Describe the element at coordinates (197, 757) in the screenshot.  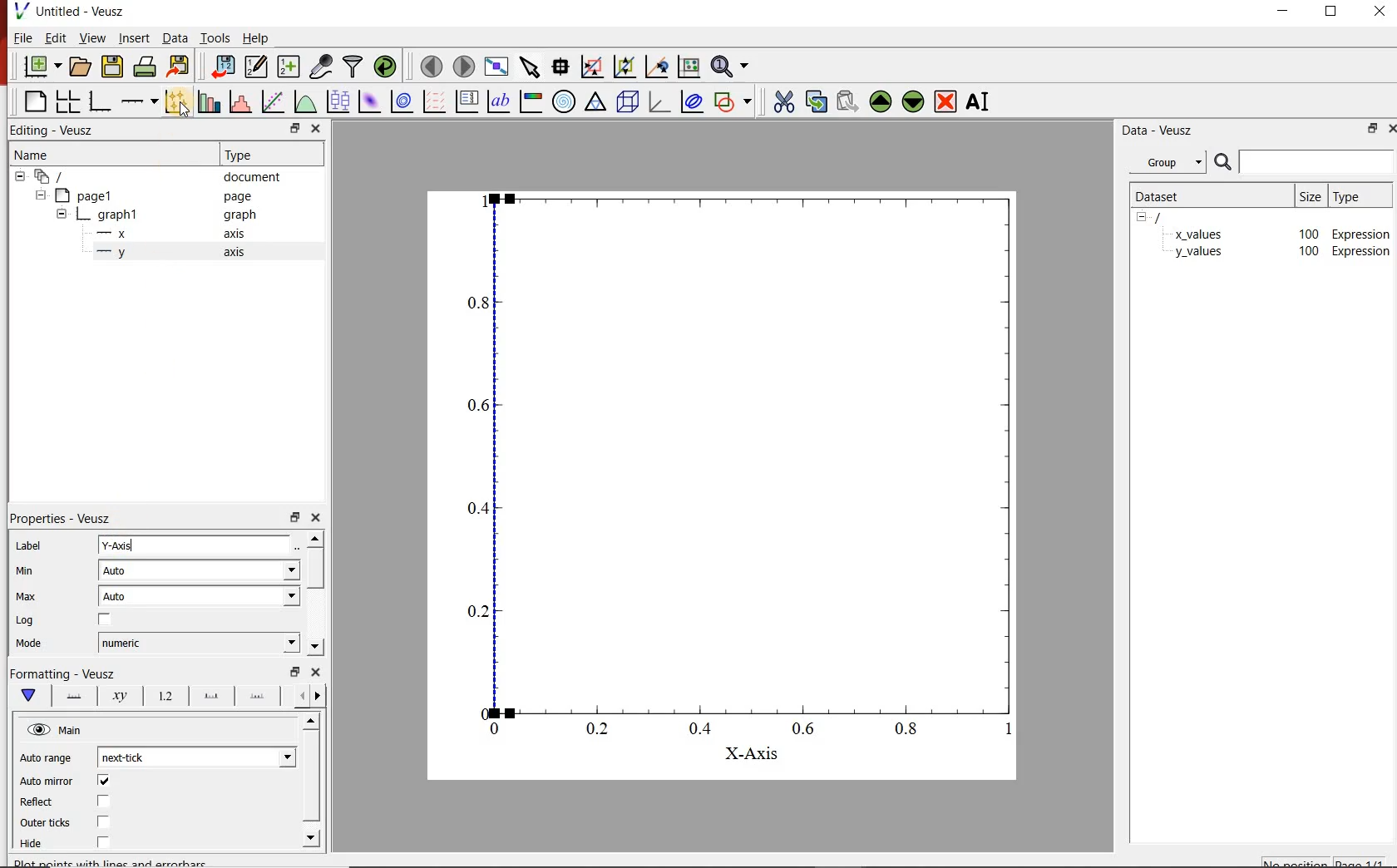
I see `next tick` at that location.